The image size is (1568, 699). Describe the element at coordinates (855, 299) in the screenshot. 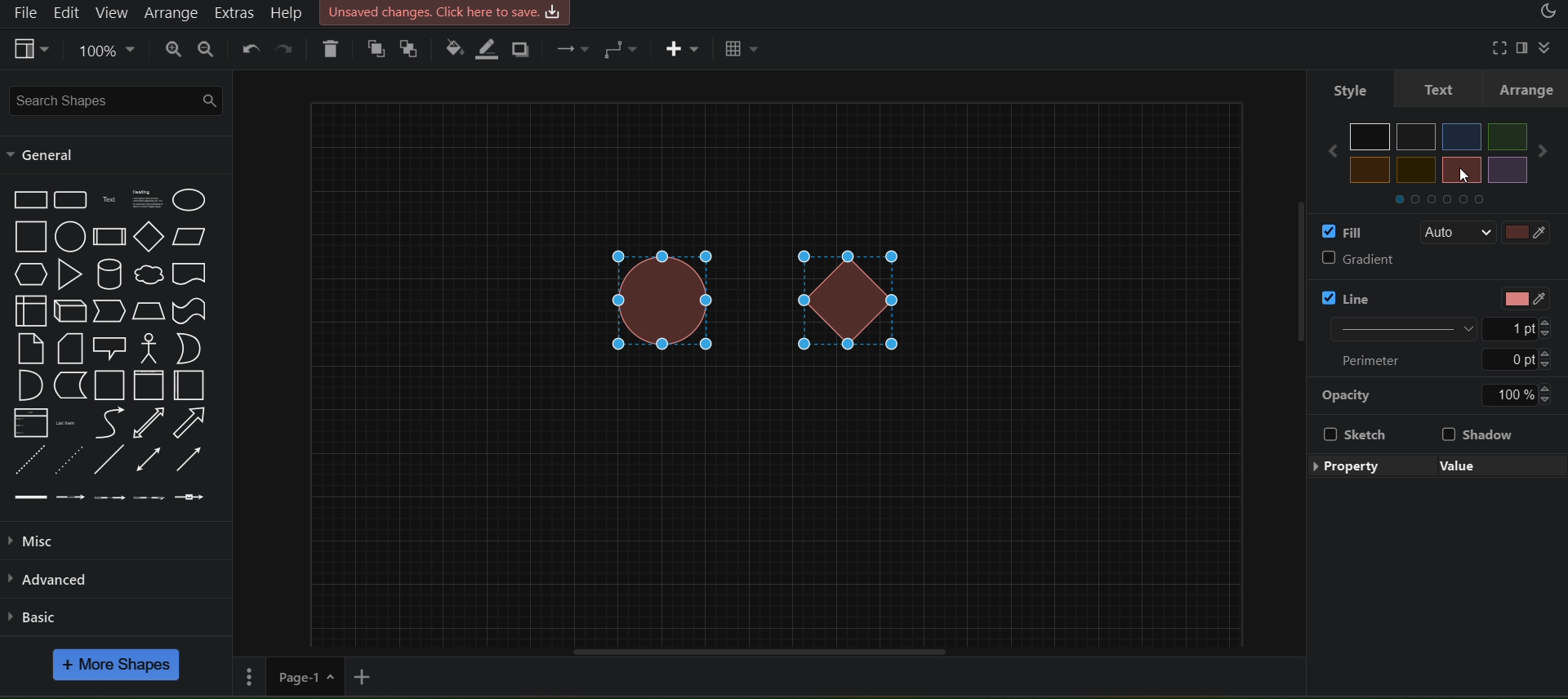

I see `diamond` at that location.